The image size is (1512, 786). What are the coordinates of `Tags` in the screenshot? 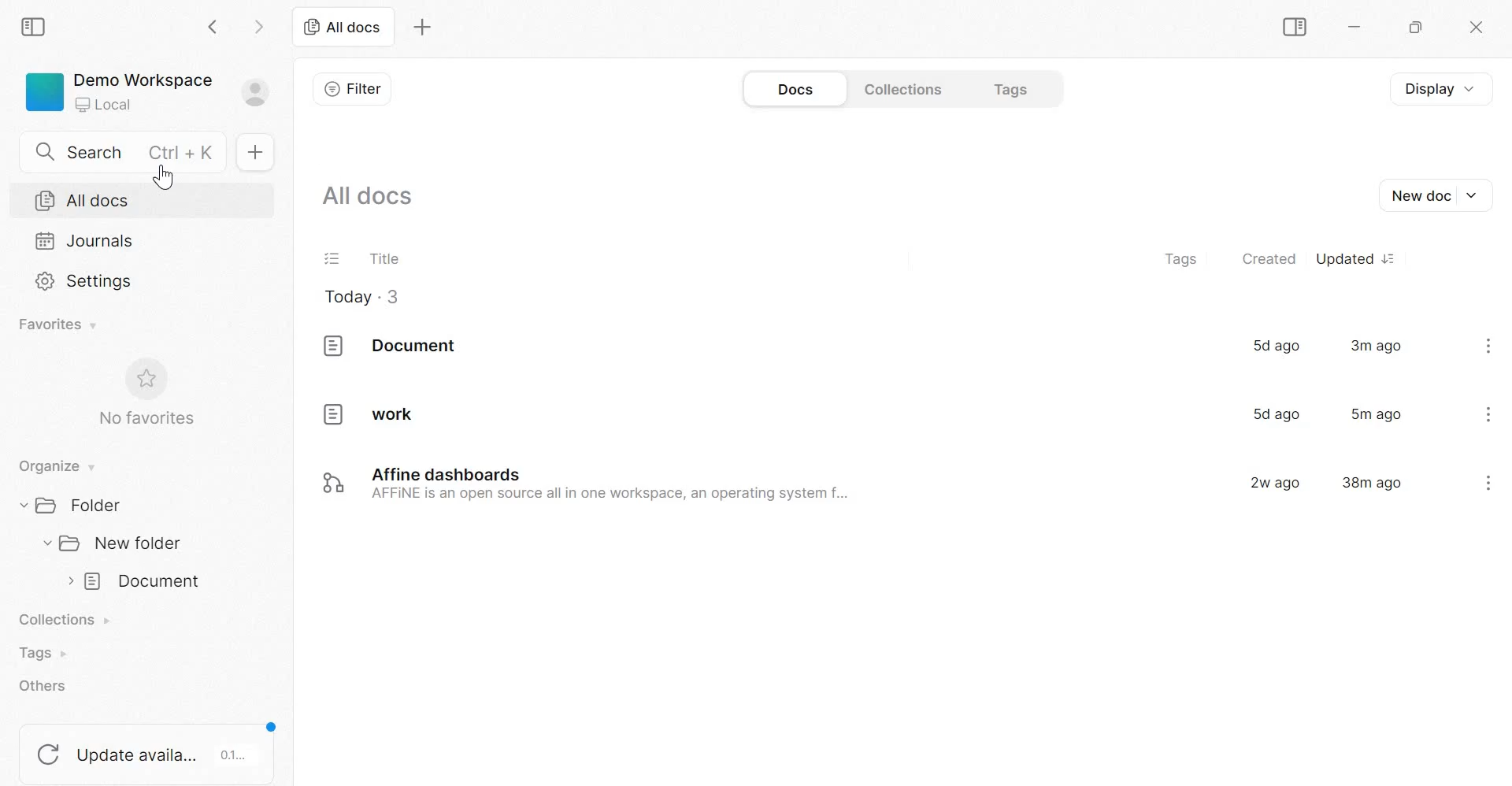 It's located at (41, 653).